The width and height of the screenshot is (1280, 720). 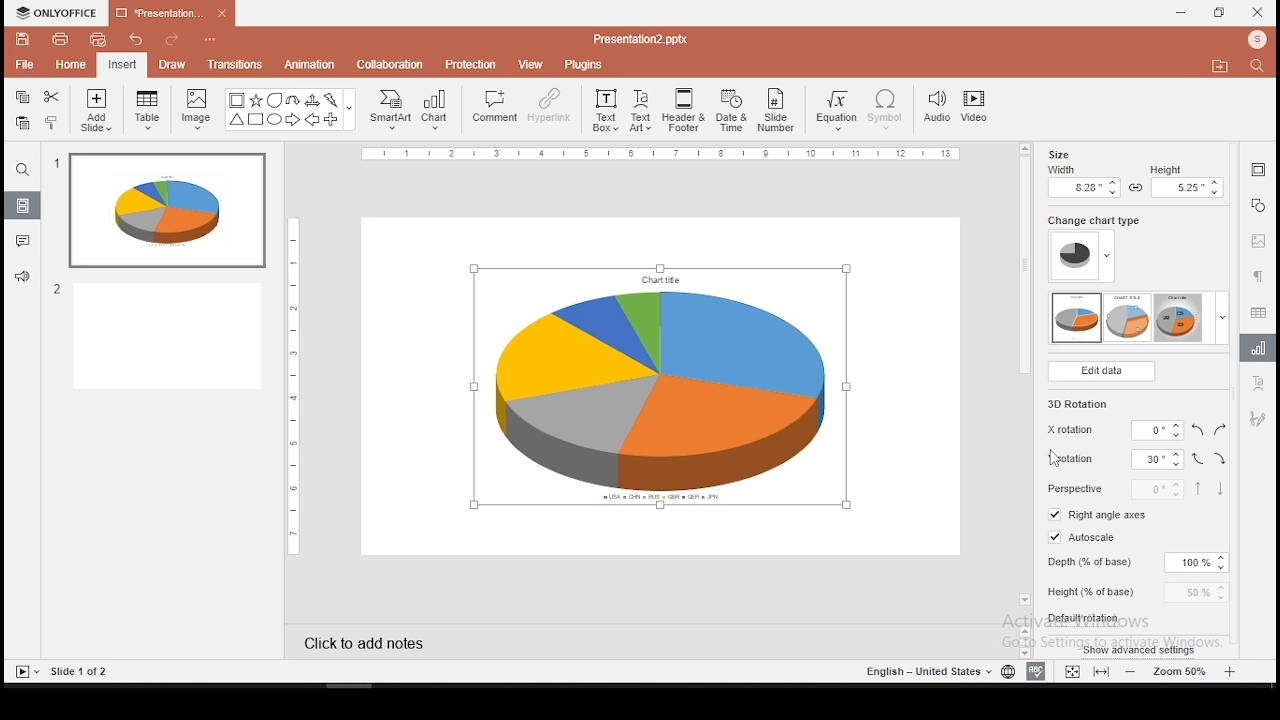 What do you see at coordinates (59, 12) in the screenshot?
I see `icon` at bounding box center [59, 12].